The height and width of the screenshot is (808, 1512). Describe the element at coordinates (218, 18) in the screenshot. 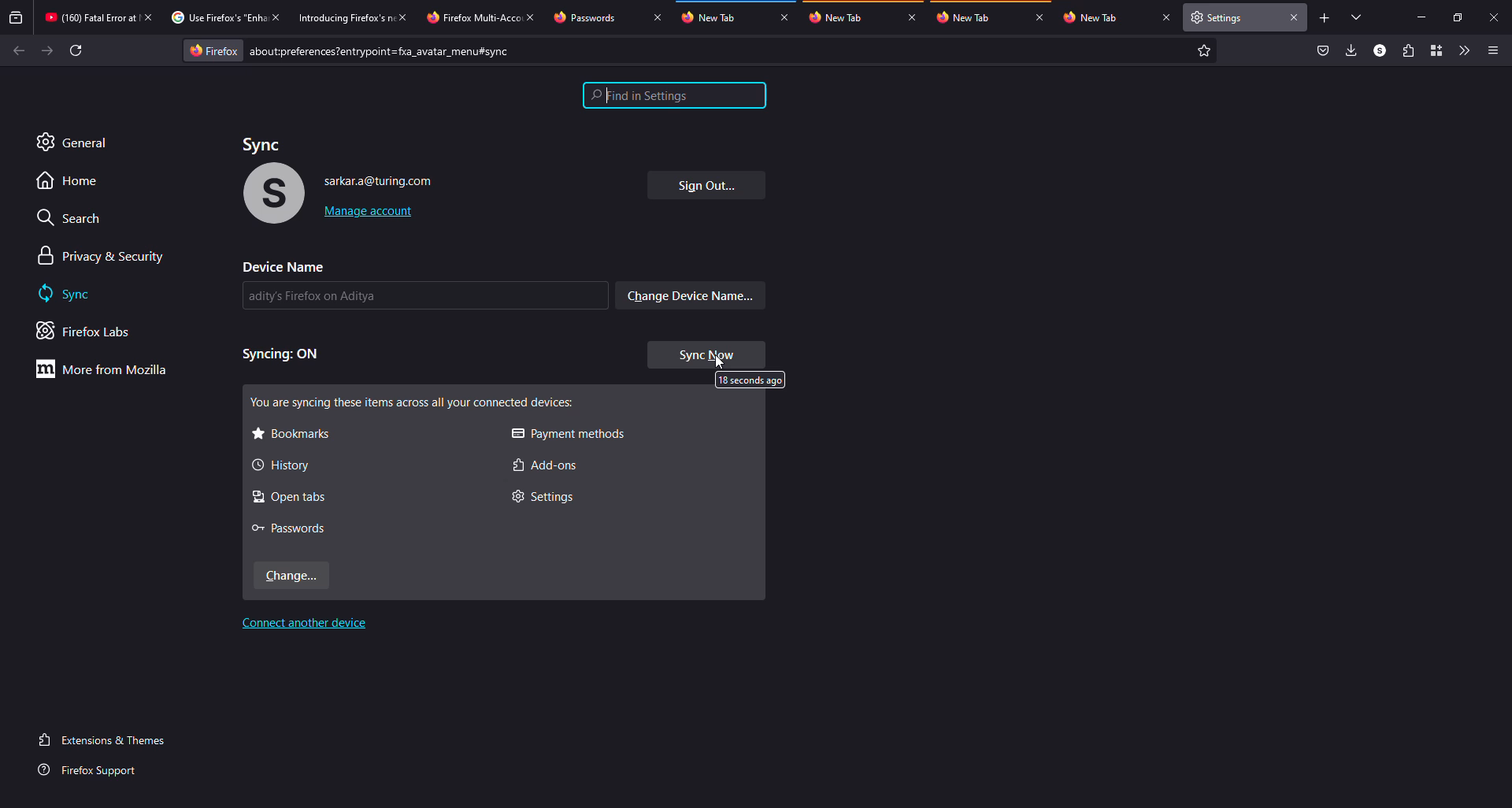

I see `tab` at that location.